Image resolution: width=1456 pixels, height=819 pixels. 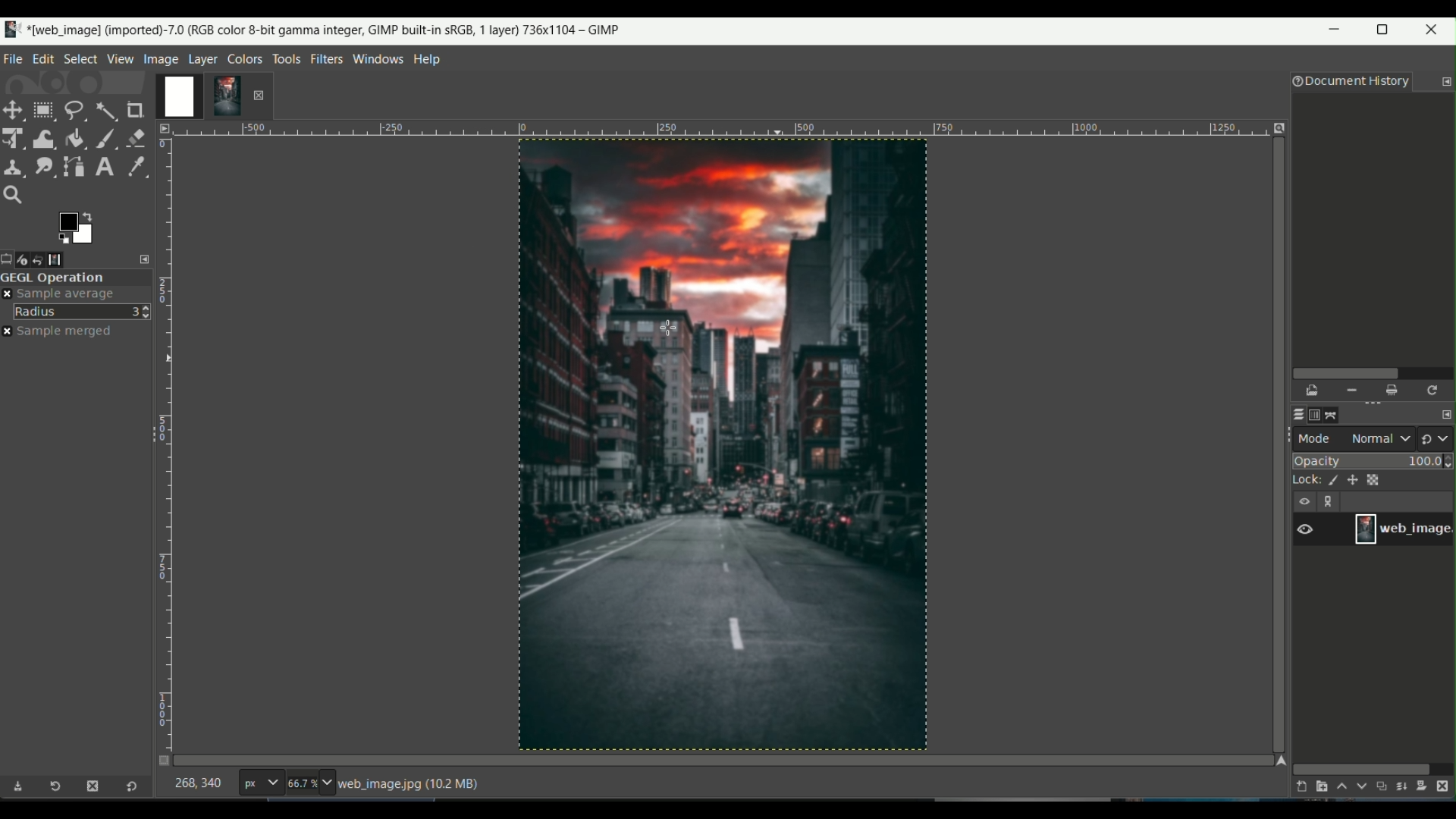 What do you see at coordinates (43, 58) in the screenshot?
I see `edit tab` at bounding box center [43, 58].